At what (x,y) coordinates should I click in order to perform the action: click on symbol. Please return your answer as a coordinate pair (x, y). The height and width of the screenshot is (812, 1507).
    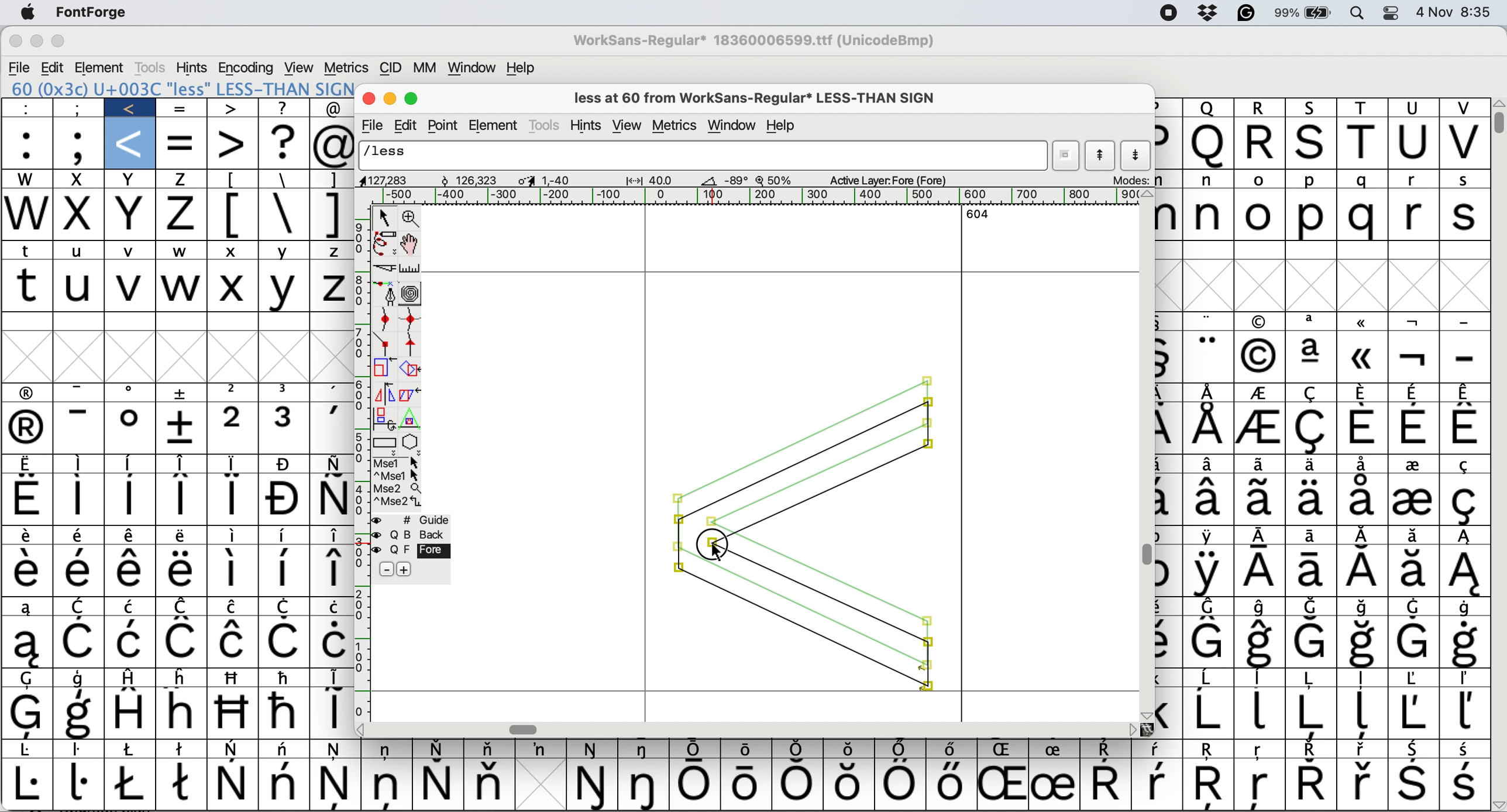
    Looking at the image, I should click on (81, 605).